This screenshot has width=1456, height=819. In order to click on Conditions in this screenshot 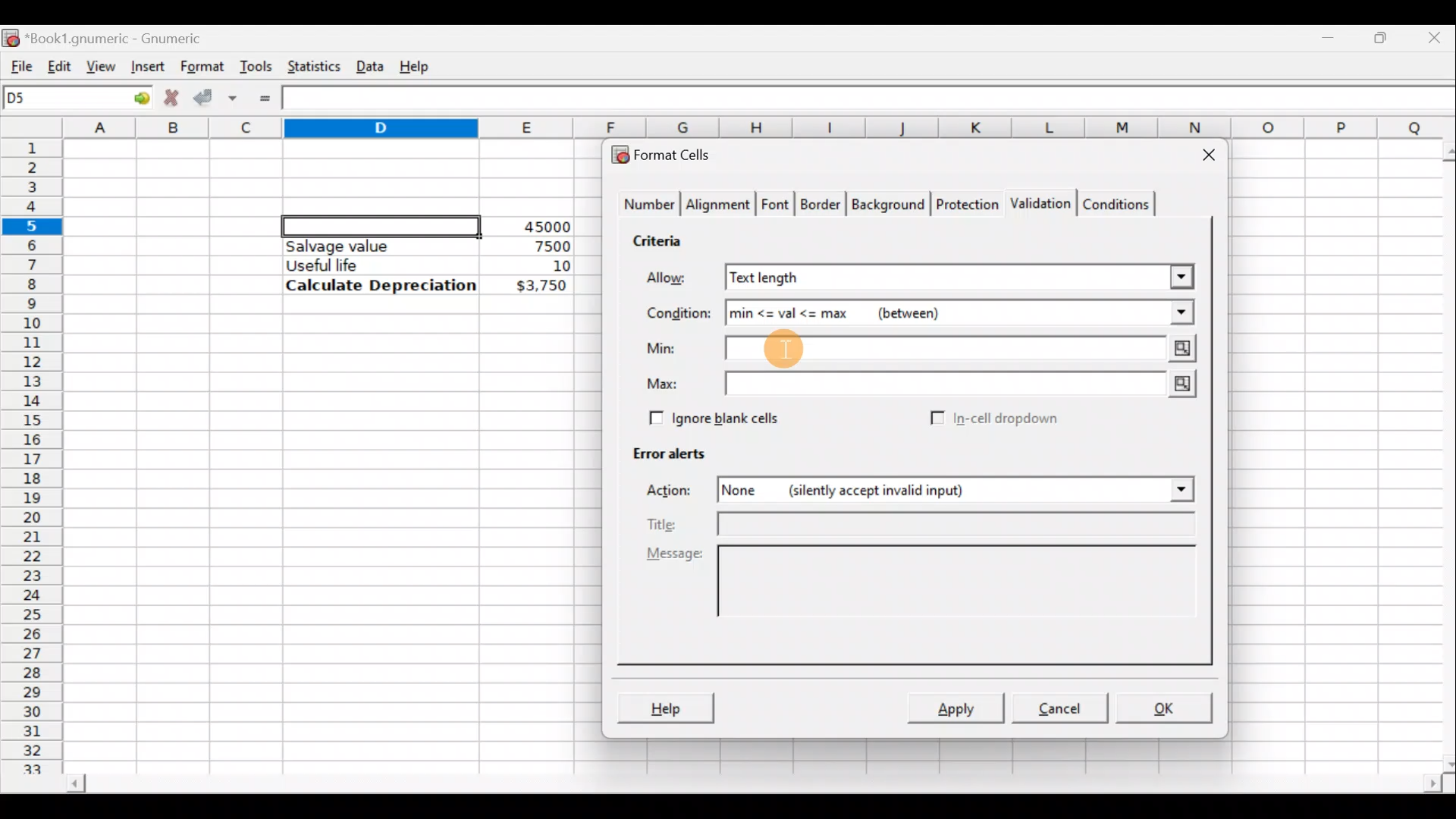, I will do `click(1116, 203)`.